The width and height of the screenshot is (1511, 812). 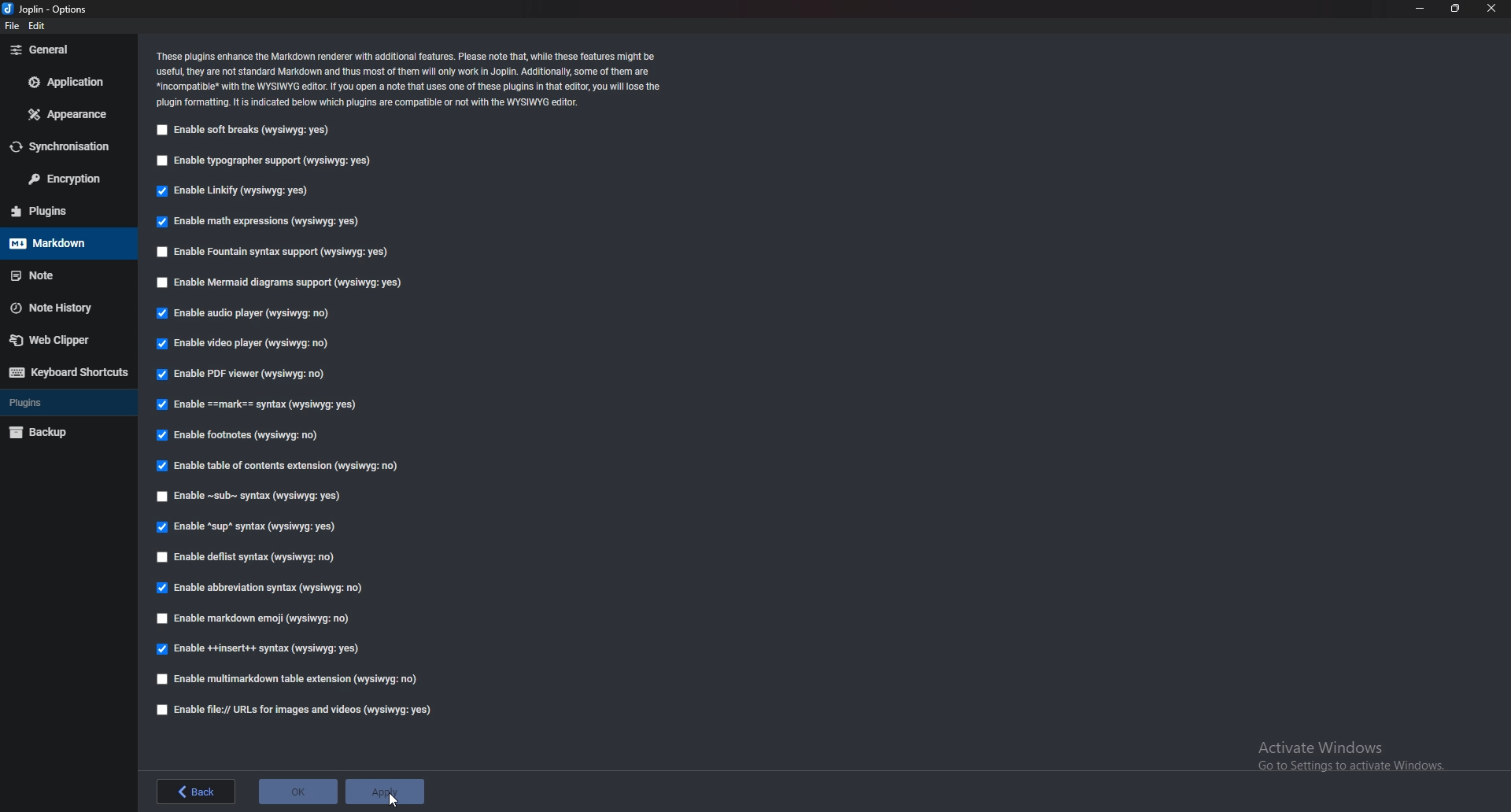 I want to click on enable Mark Syntax, so click(x=263, y=404).